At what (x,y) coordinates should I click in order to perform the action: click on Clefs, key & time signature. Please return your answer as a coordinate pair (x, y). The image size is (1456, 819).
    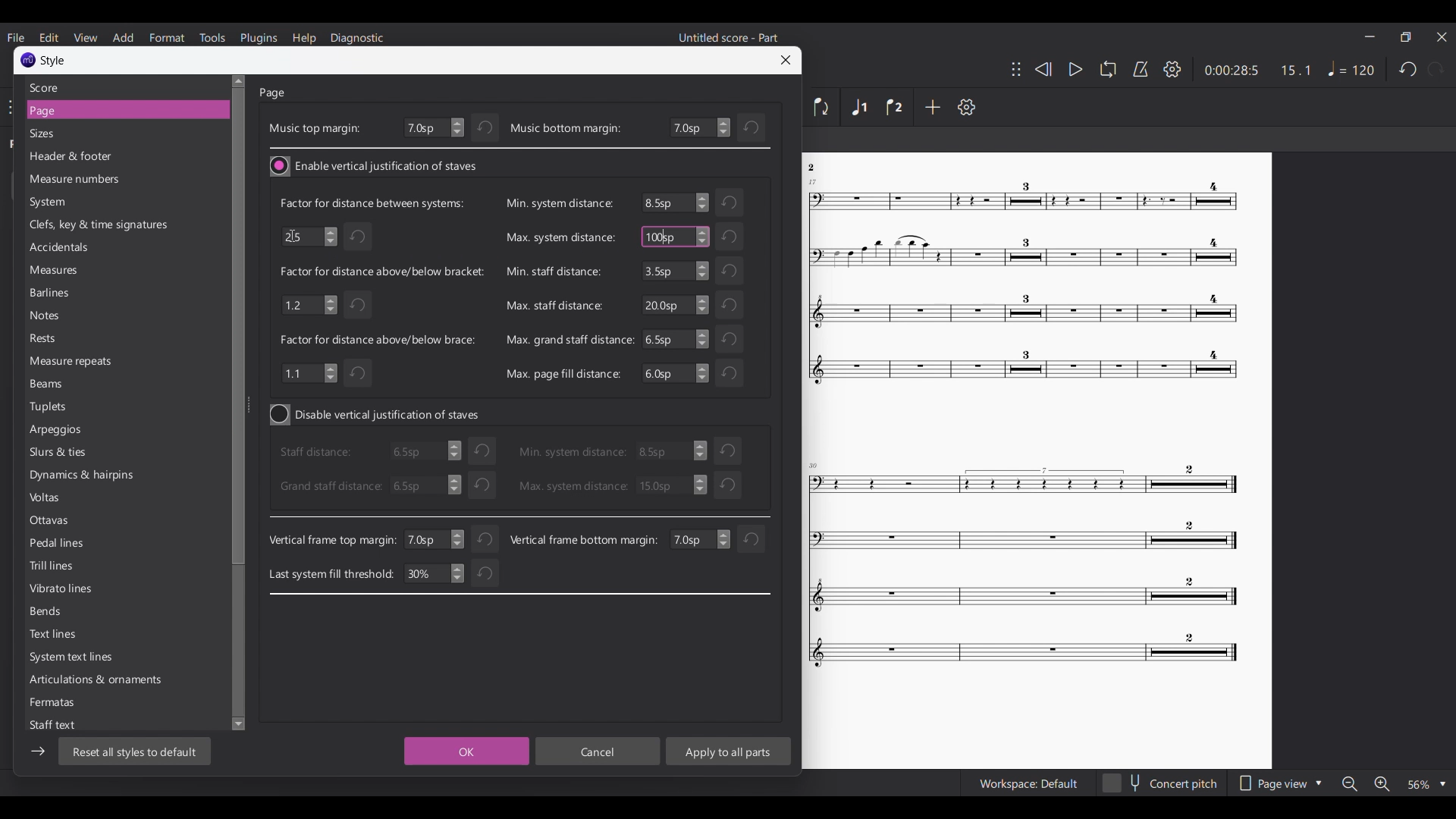
    Looking at the image, I should click on (105, 225).